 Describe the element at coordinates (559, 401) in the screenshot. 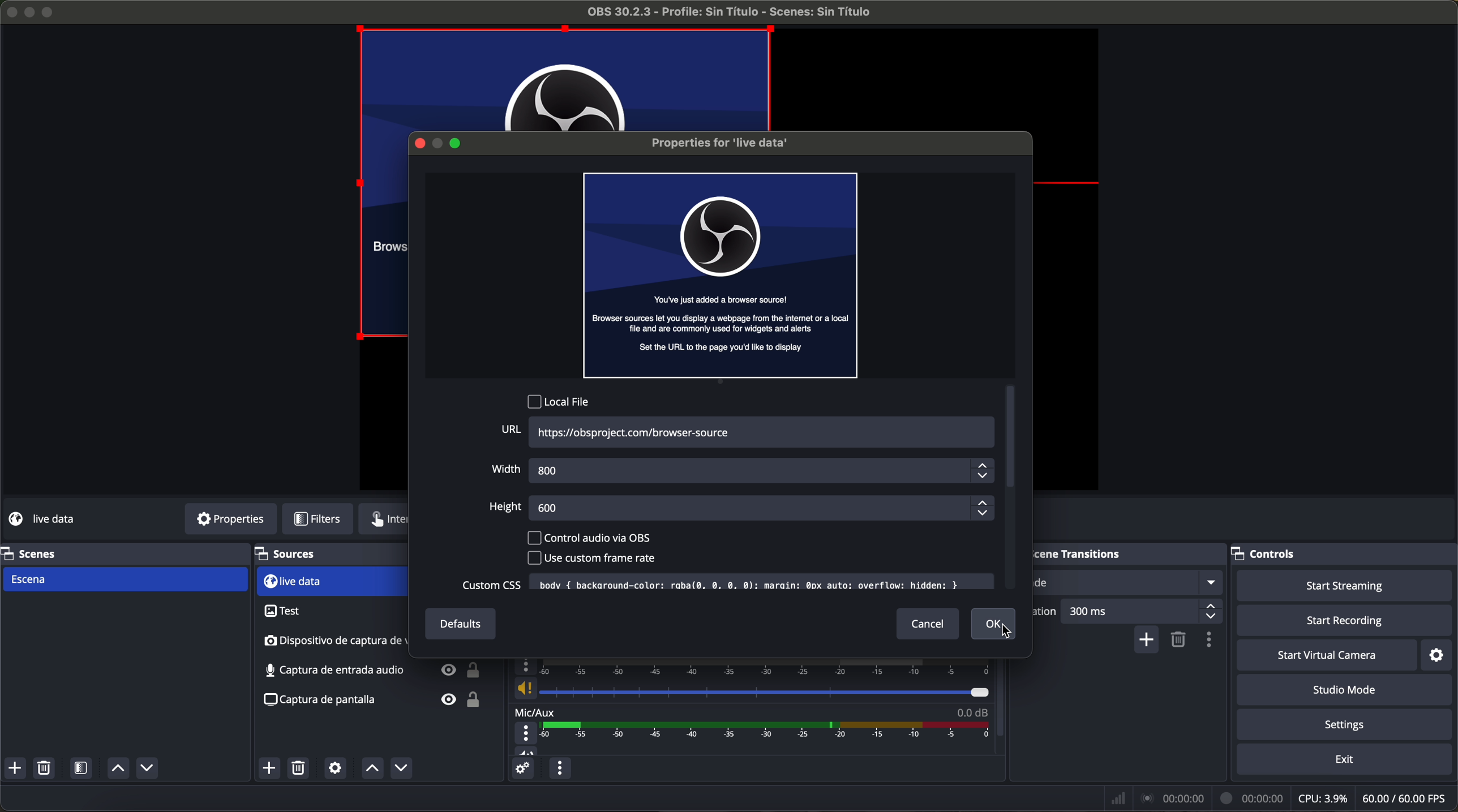

I see `local file` at that location.